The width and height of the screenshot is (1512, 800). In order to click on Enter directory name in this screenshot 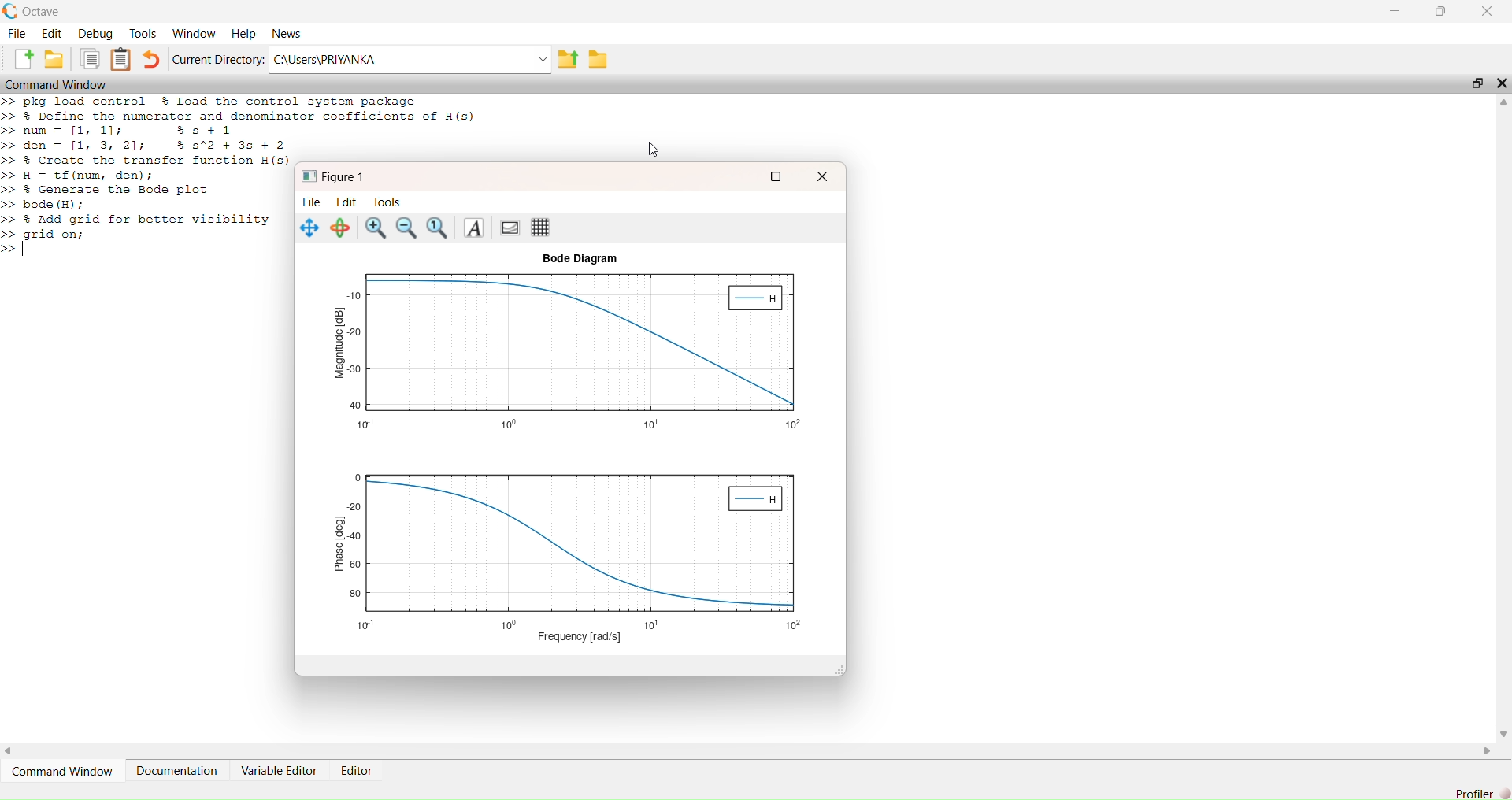, I will do `click(543, 59)`.